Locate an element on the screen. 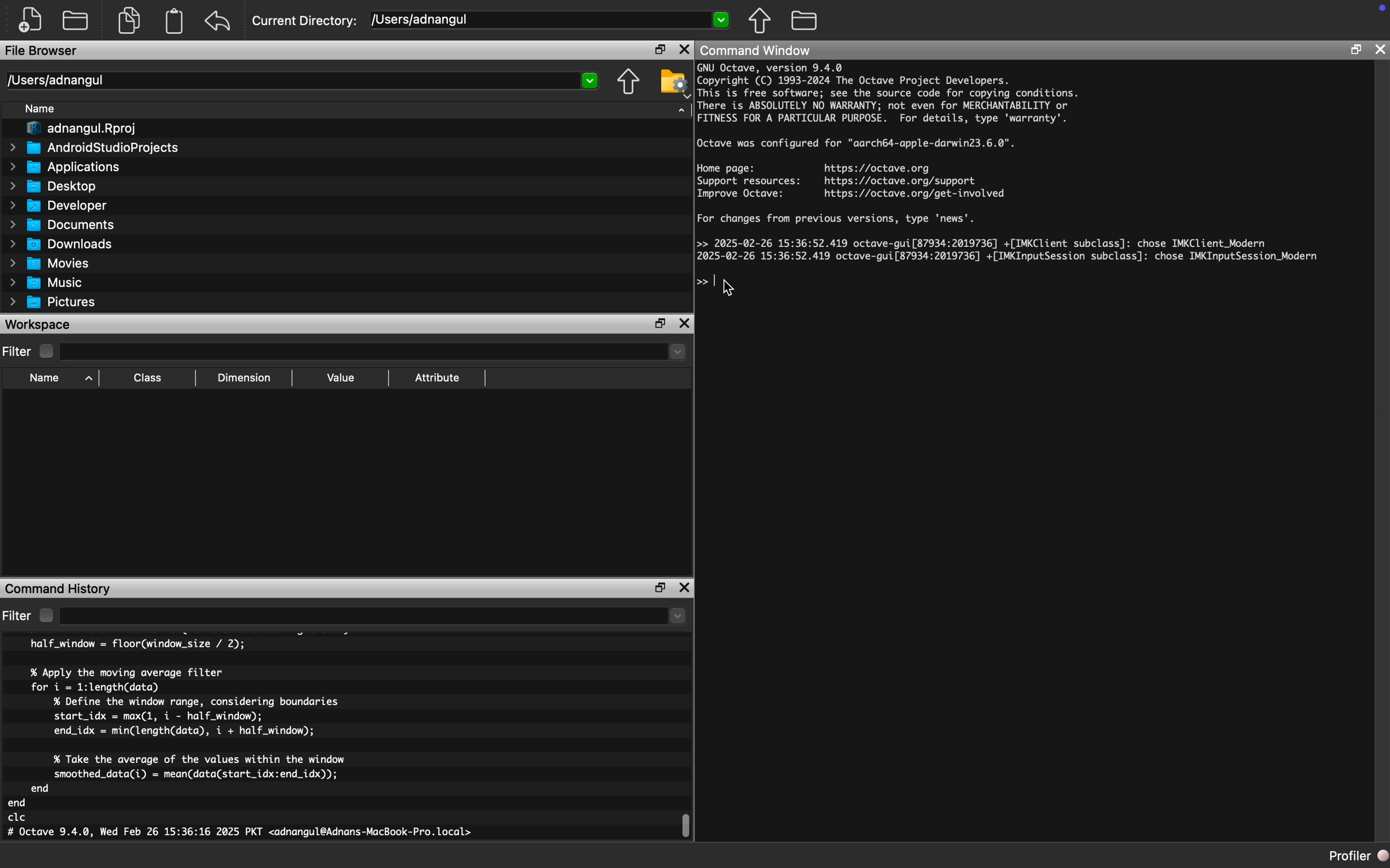  Scroll is located at coordinates (690, 823).